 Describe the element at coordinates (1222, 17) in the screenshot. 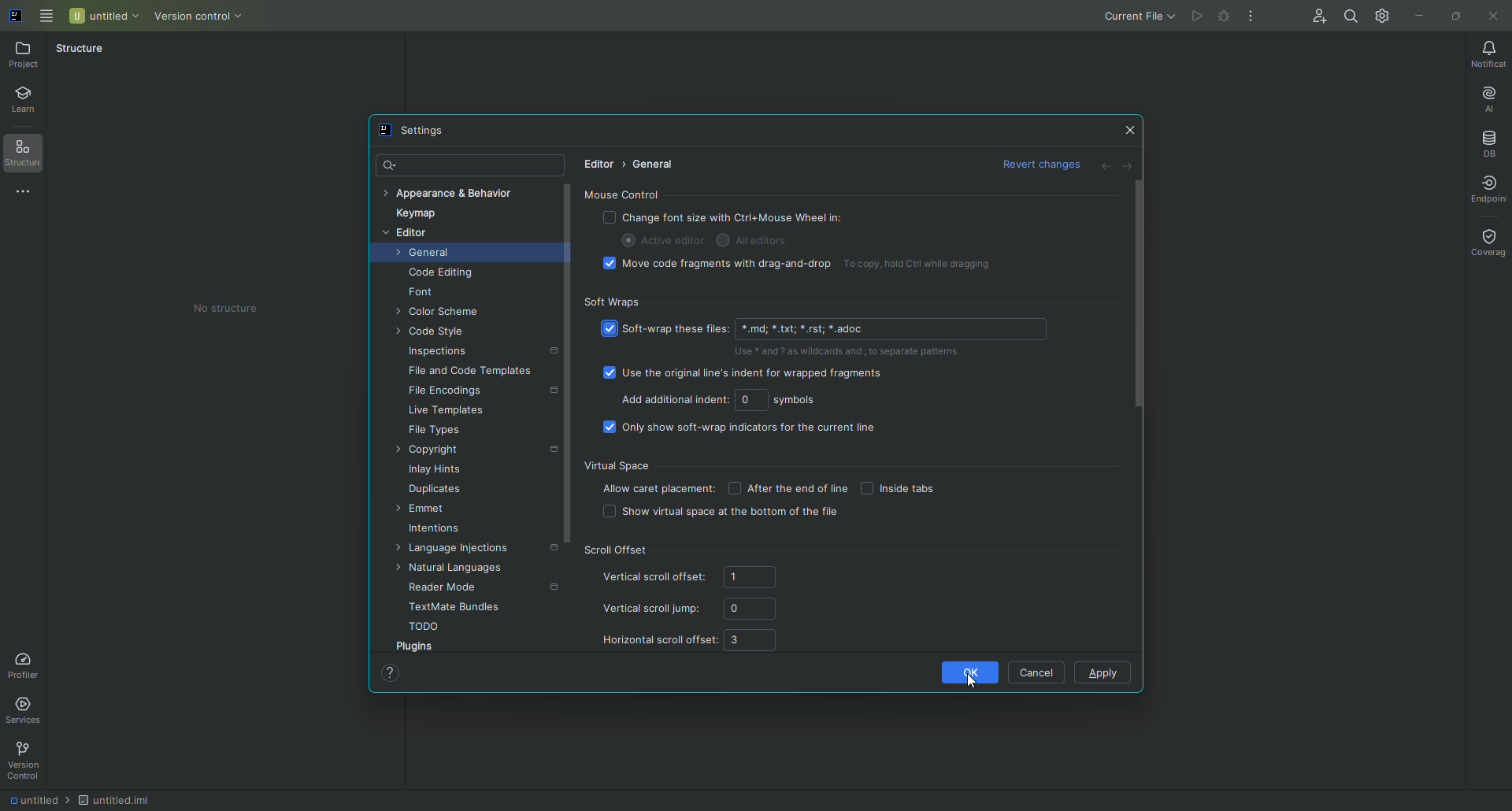

I see `Debug` at that location.